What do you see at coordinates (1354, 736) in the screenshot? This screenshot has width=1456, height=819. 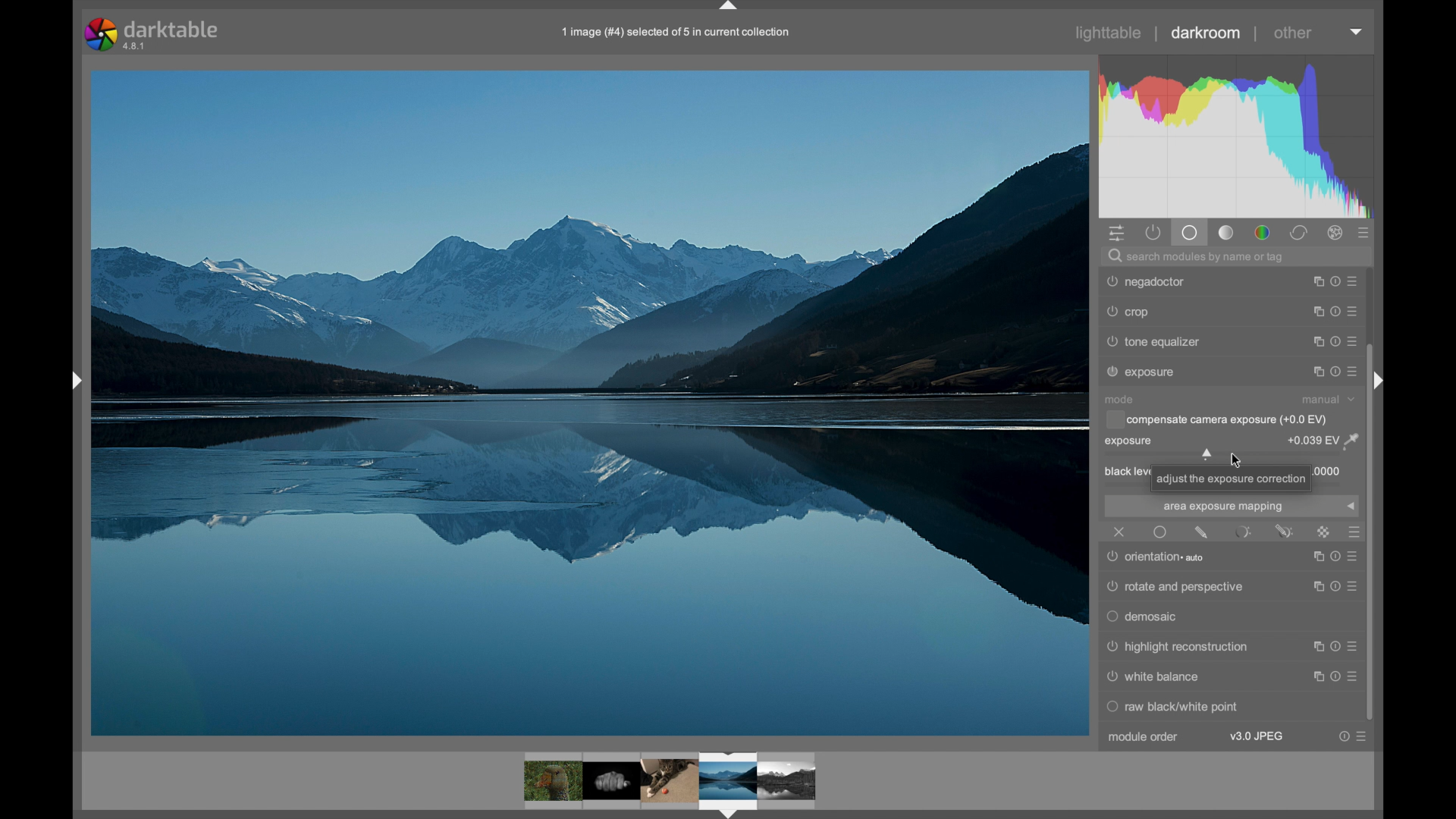 I see `more options` at bounding box center [1354, 736].